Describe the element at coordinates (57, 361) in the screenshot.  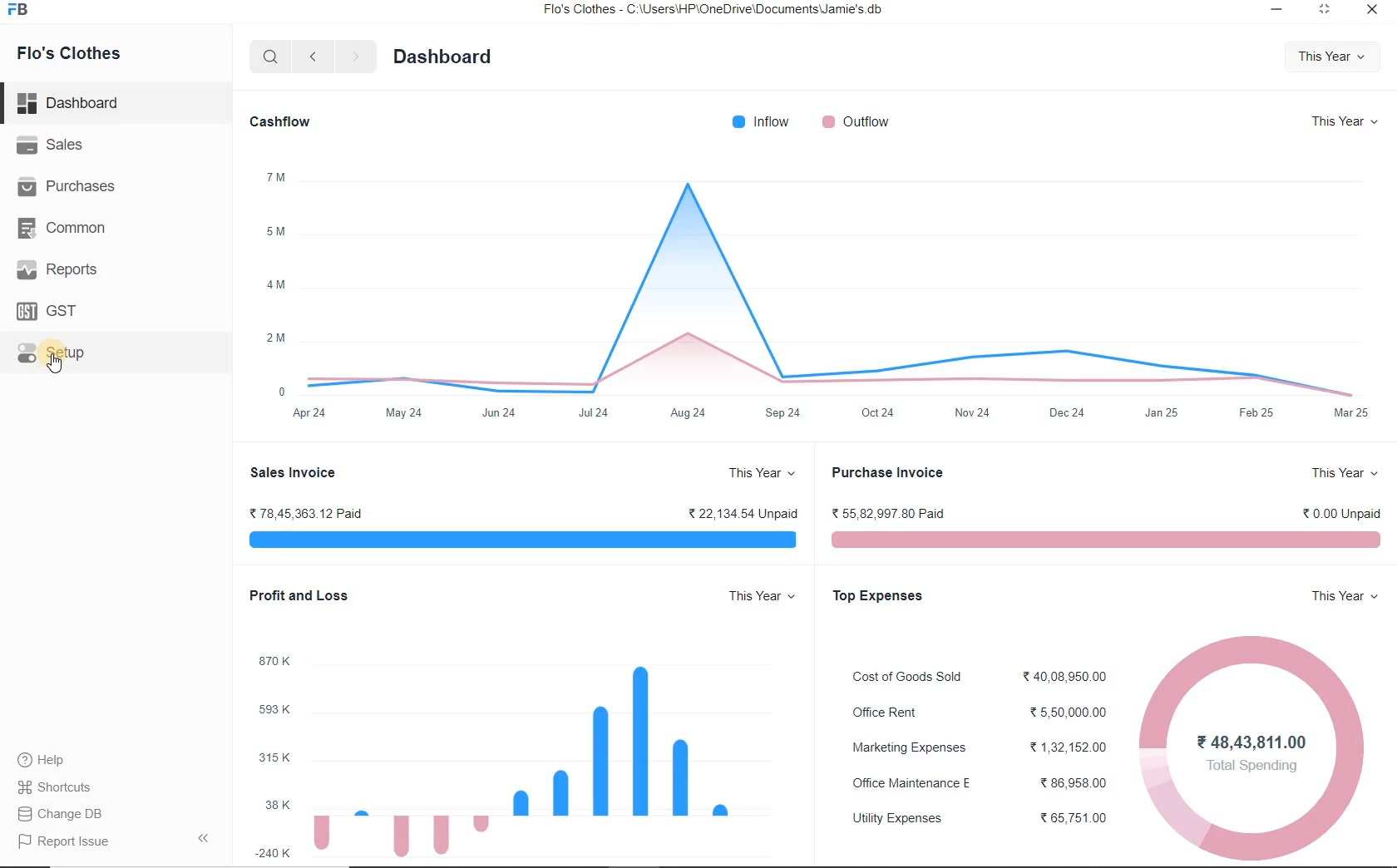
I see `Cursor` at that location.